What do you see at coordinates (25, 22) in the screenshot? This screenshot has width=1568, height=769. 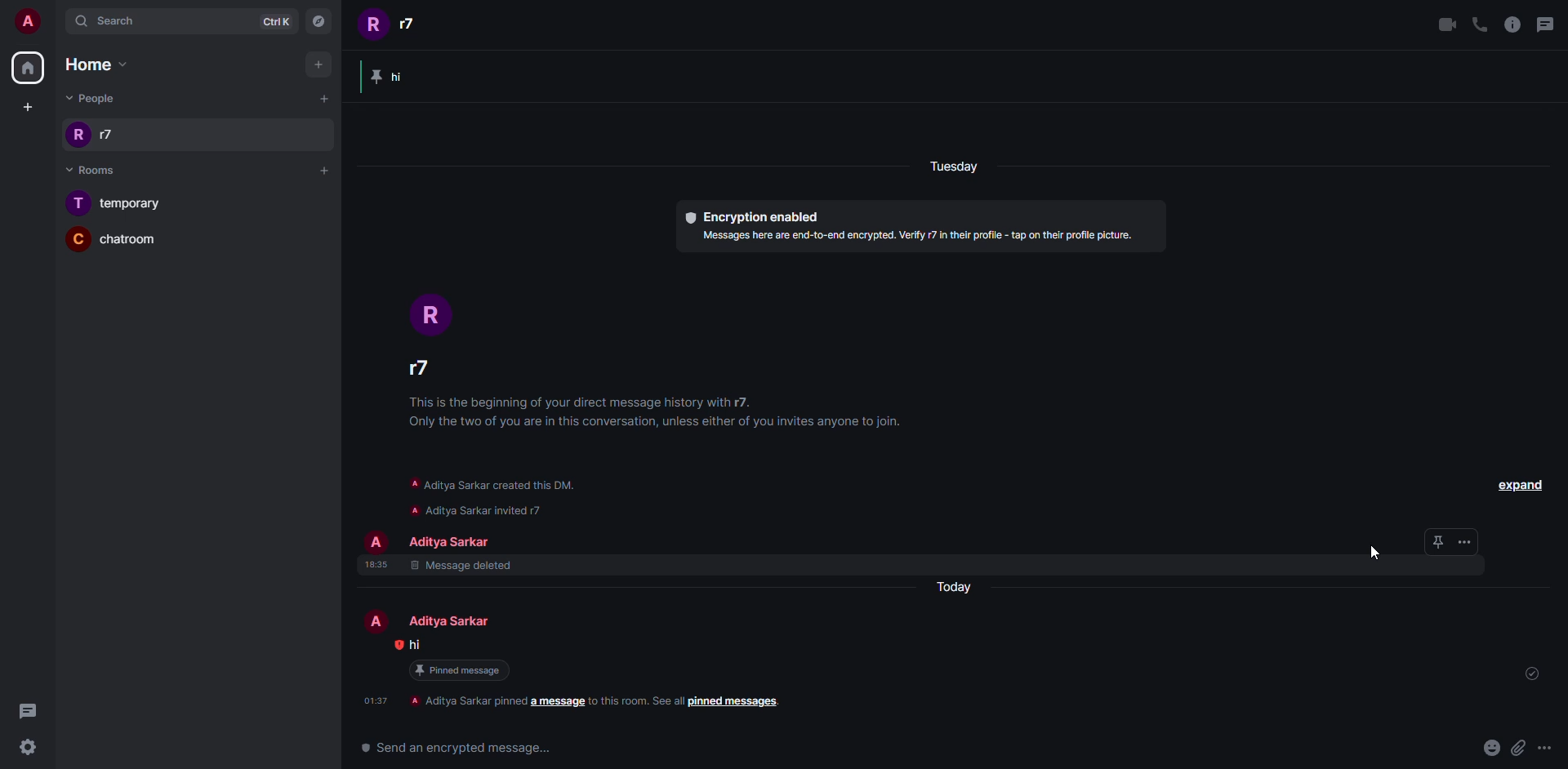 I see `account` at bounding box center [25, 22].